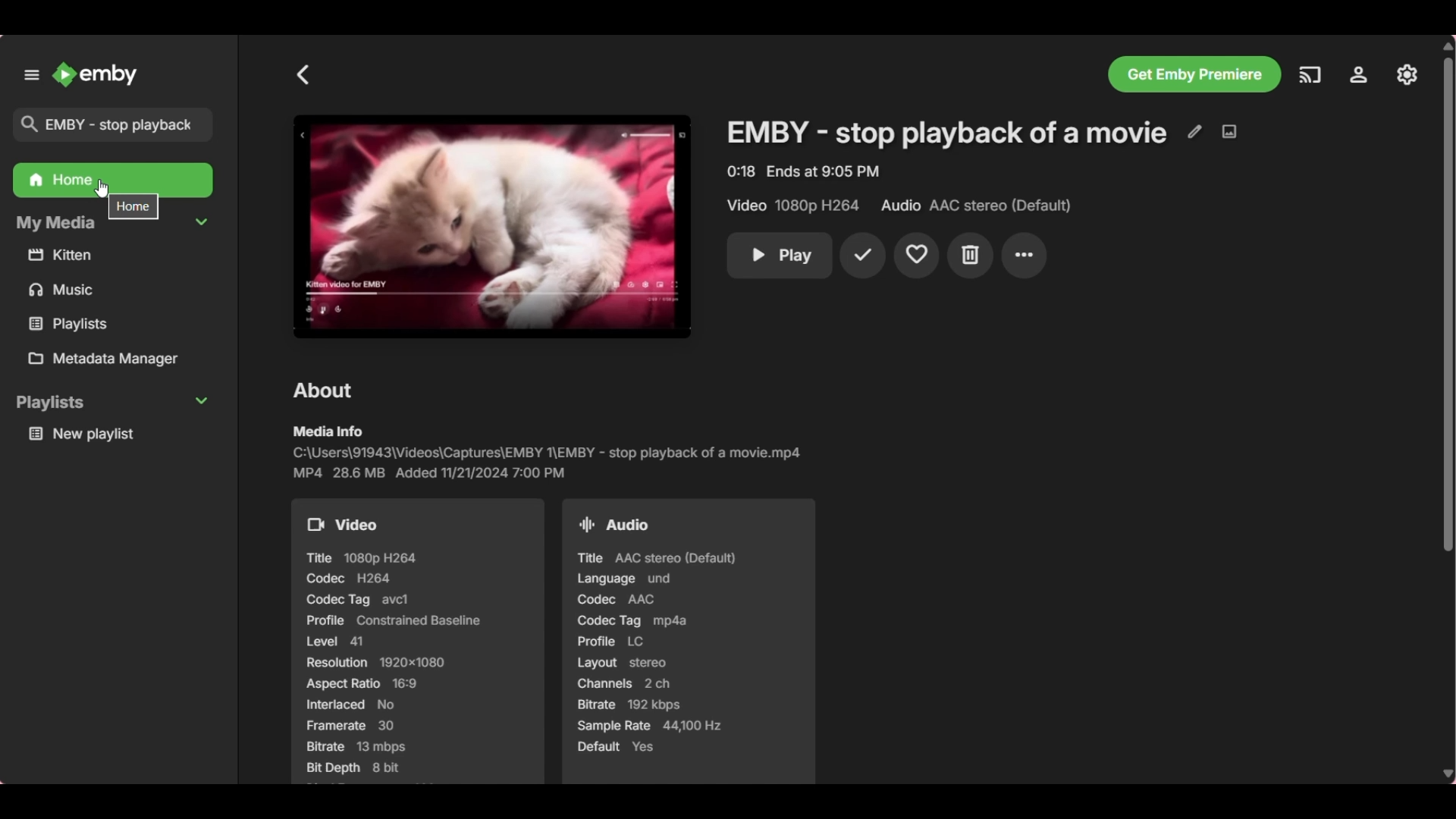 The height and width of the screenshot is (819, 1456). What do you see at coordinates (134, 206) in the screenshot?
I see `Home` at bounding box center [134, 206].